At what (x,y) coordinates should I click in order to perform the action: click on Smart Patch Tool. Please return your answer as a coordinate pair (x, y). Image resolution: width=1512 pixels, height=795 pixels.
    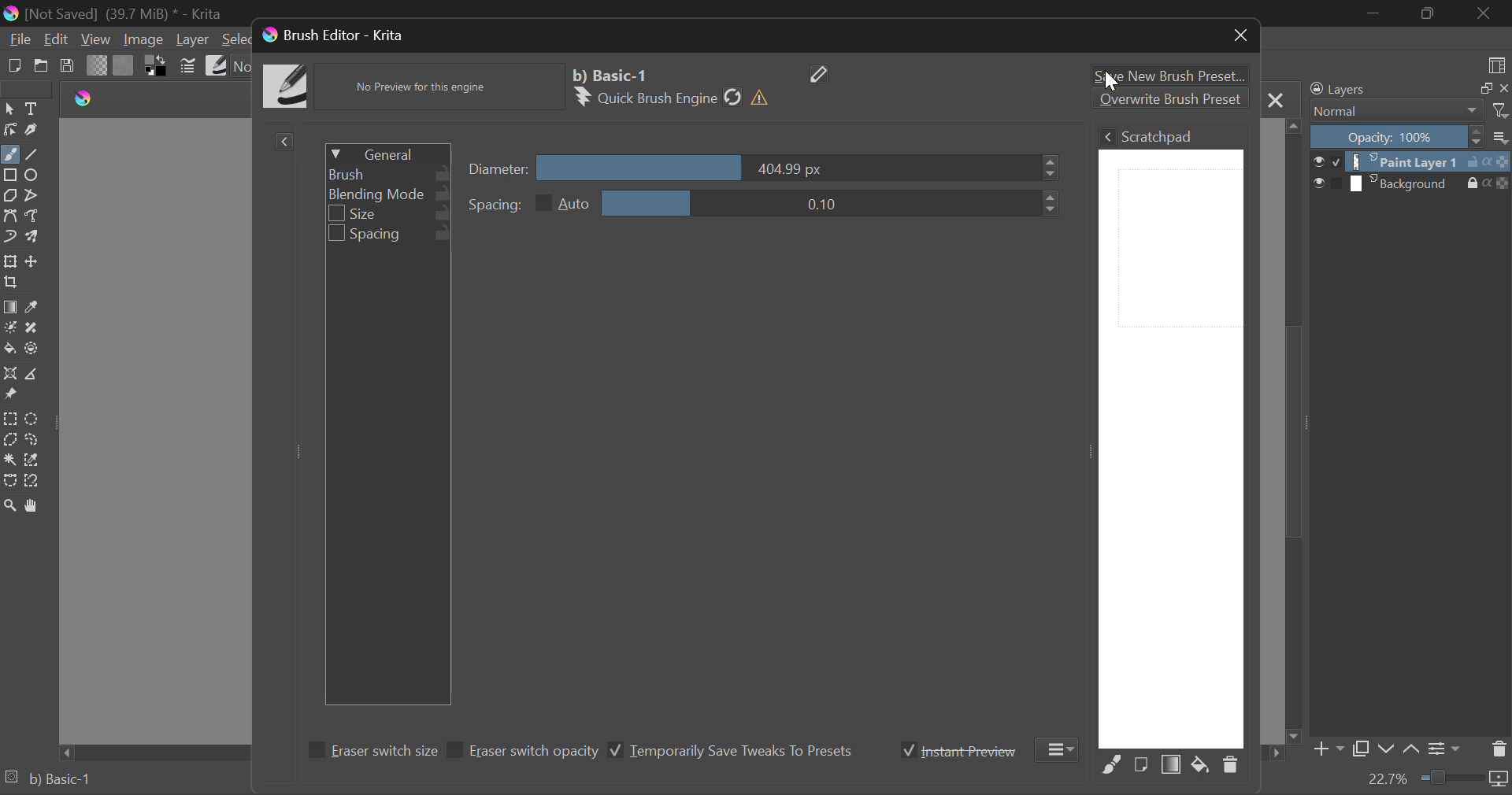
    Looking at the image, I should click on (33, 327).